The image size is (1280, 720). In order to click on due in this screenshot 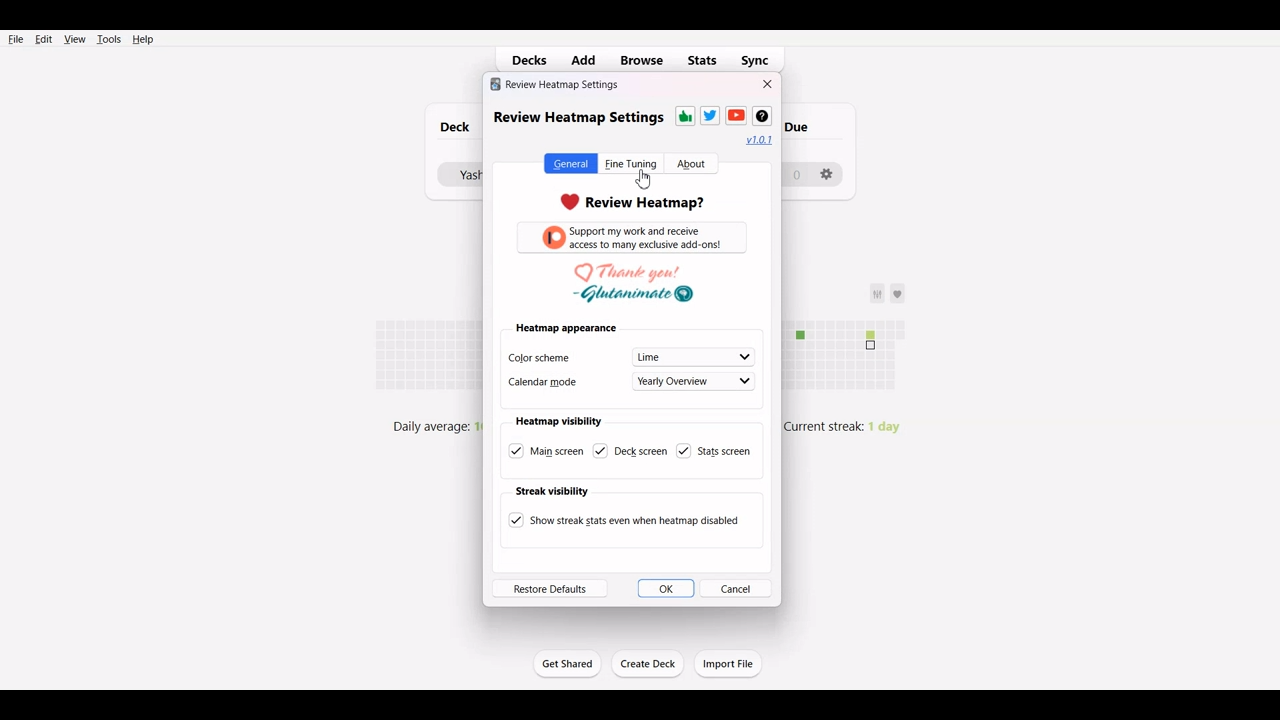, I will do `click(808, 125)`.